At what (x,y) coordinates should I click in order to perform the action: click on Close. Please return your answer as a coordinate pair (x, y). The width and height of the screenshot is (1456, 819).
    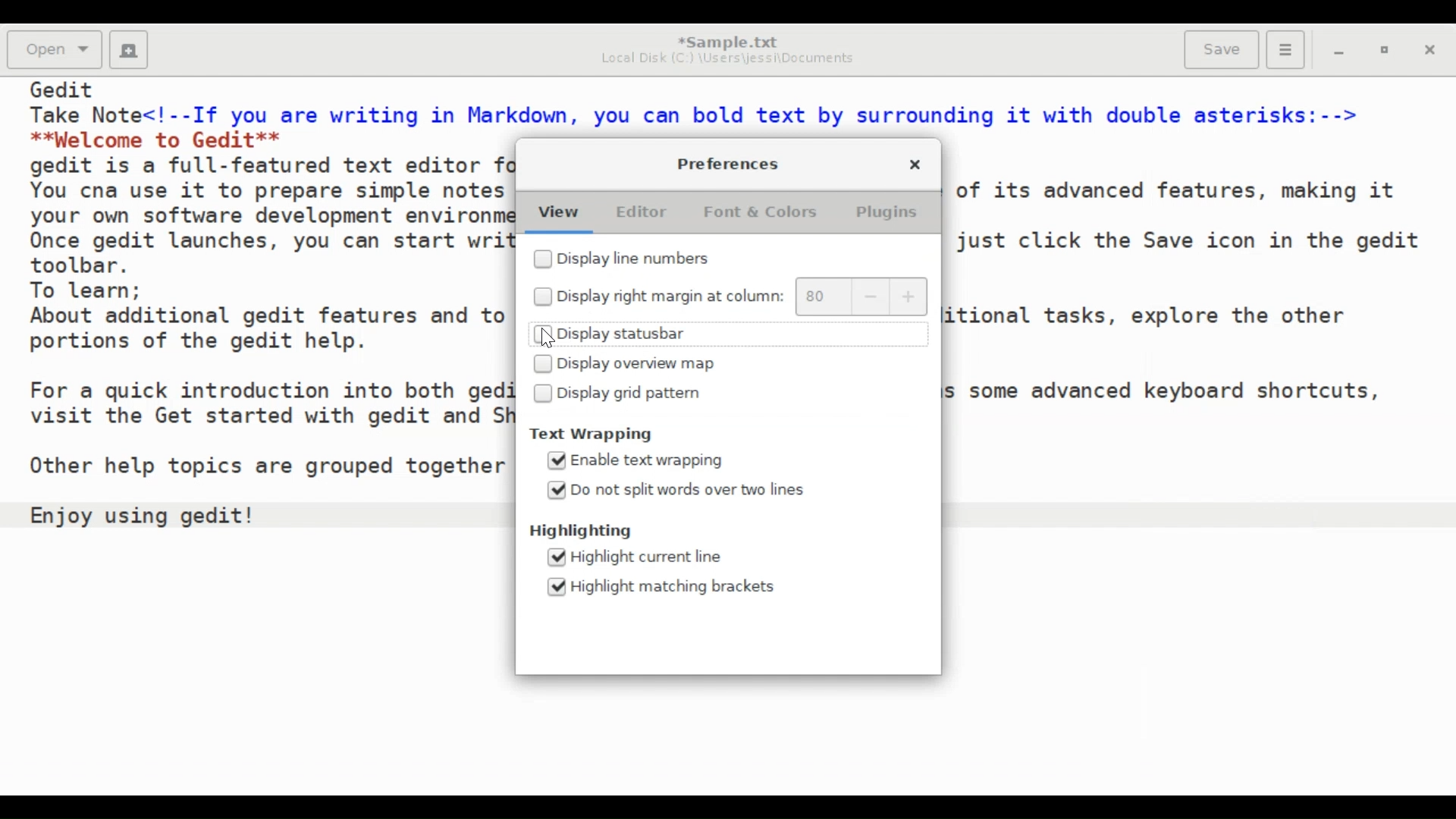
    Looking at the image, I should click on (1432, 52).